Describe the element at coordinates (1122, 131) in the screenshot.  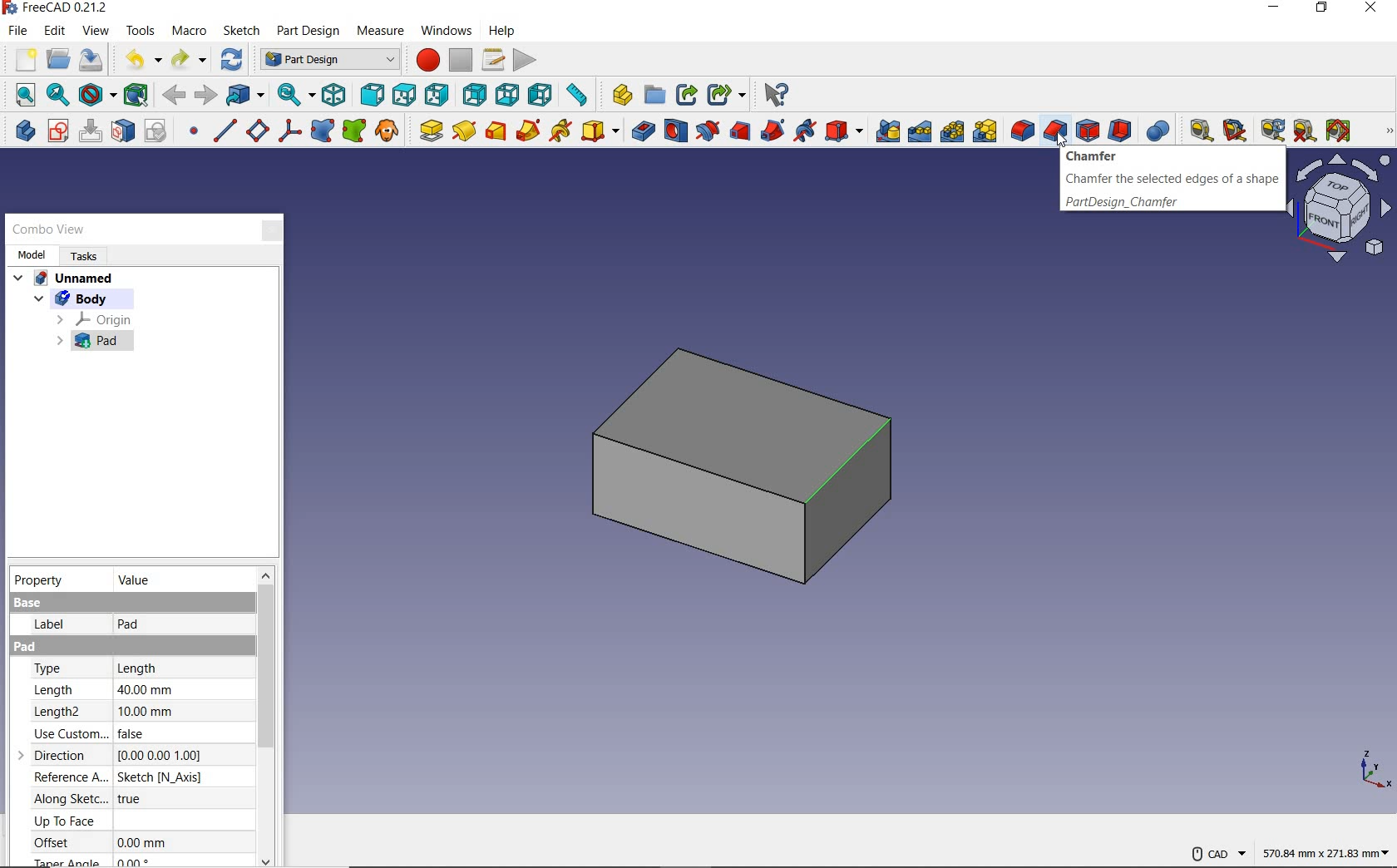
I see `thickness` at that location.